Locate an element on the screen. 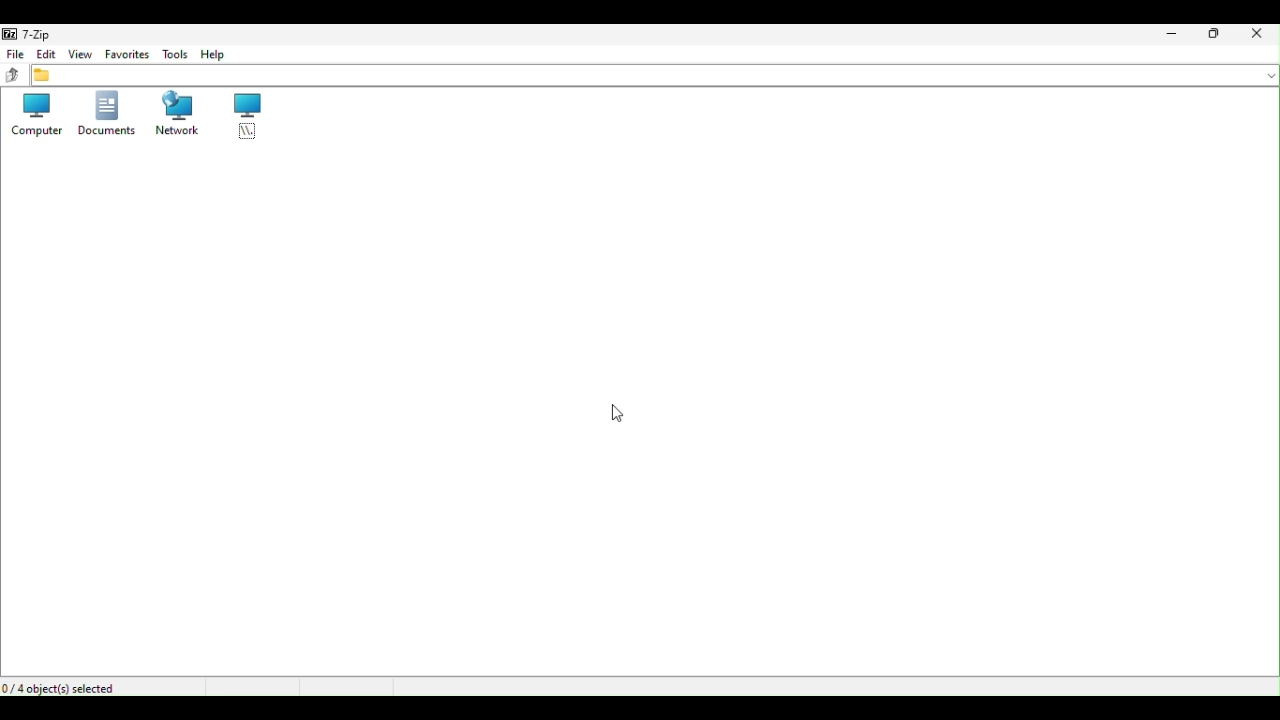 This screenshot has width=1280, height=720. Favourite is located at coordinates (124, 56).